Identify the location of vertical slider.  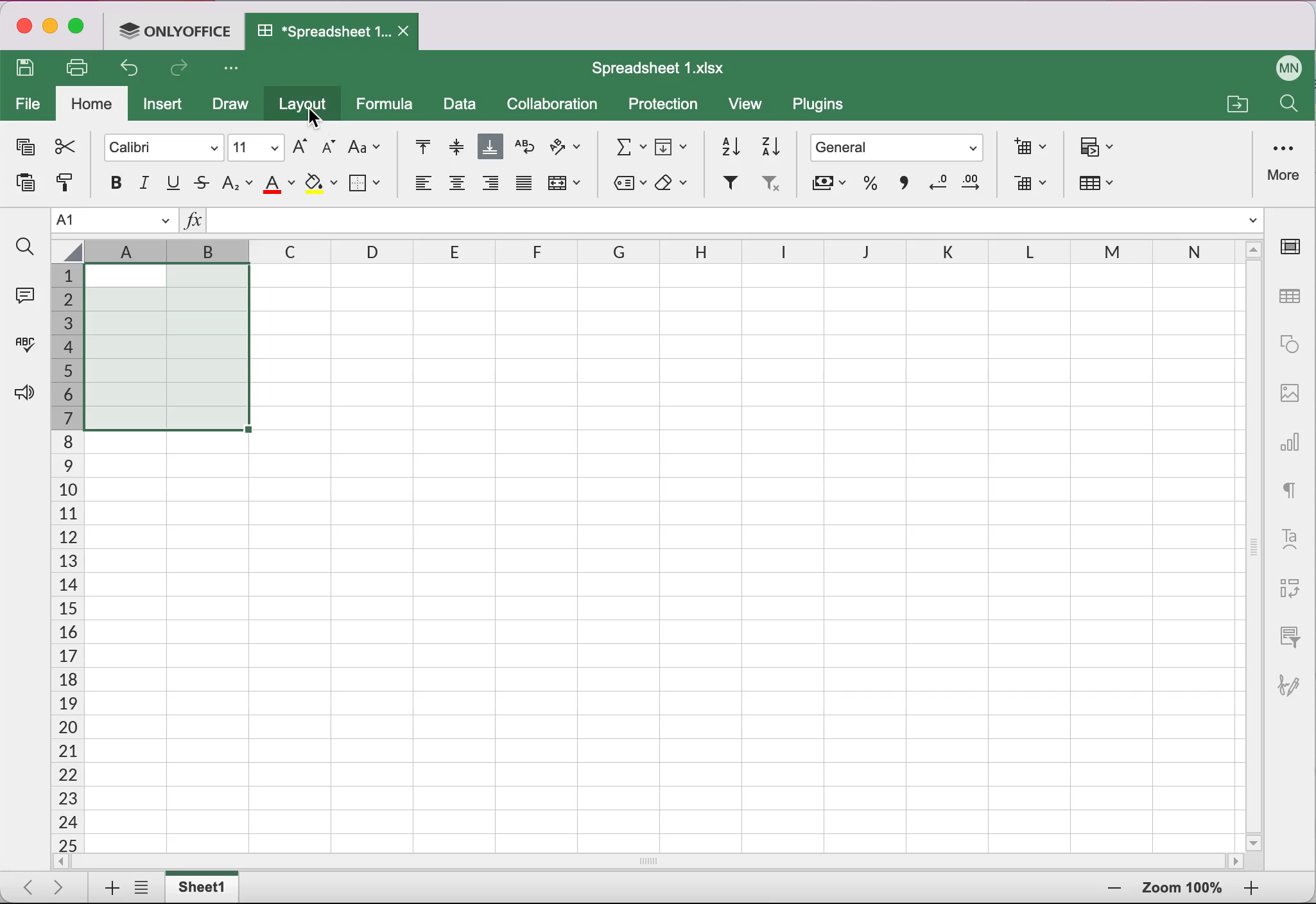
(1254, 540).